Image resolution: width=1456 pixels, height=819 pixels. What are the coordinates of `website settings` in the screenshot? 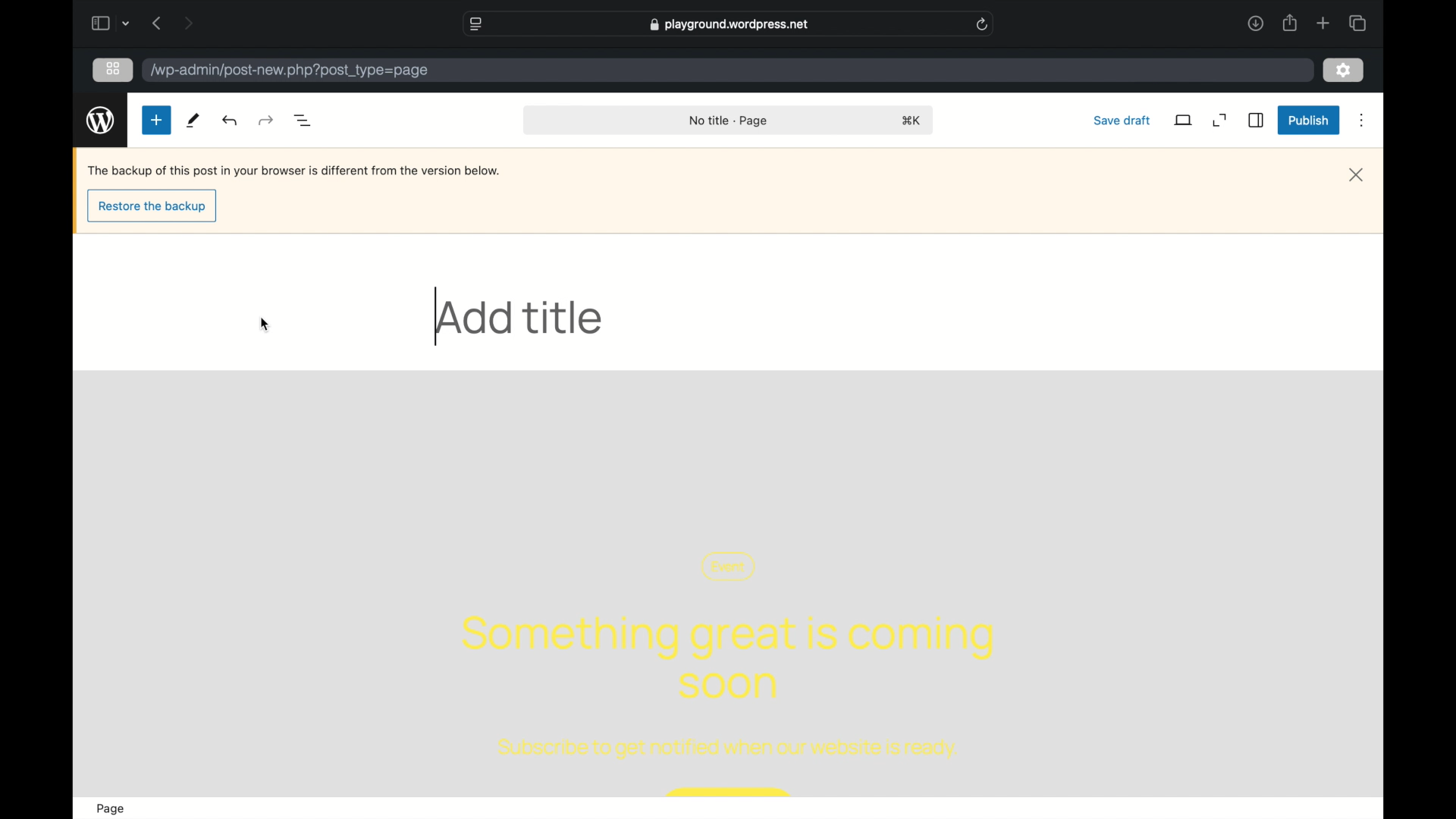 It's located at (475, 24).